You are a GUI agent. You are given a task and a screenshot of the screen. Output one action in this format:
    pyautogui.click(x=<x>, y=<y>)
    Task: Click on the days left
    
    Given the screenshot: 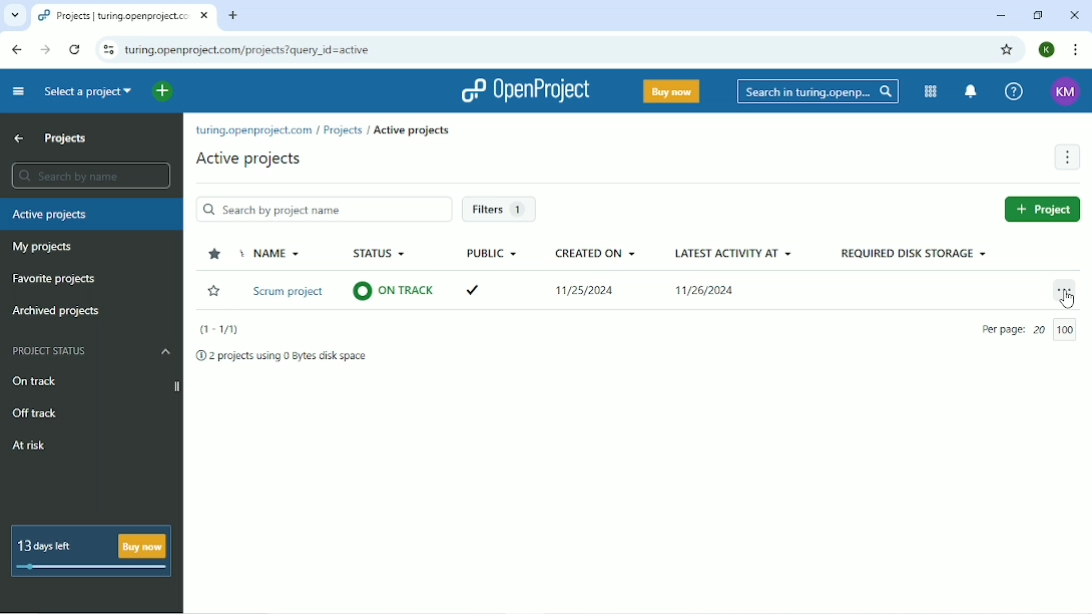 What is the action you would take?
    pyautogui.click(x=89, y=568)
    